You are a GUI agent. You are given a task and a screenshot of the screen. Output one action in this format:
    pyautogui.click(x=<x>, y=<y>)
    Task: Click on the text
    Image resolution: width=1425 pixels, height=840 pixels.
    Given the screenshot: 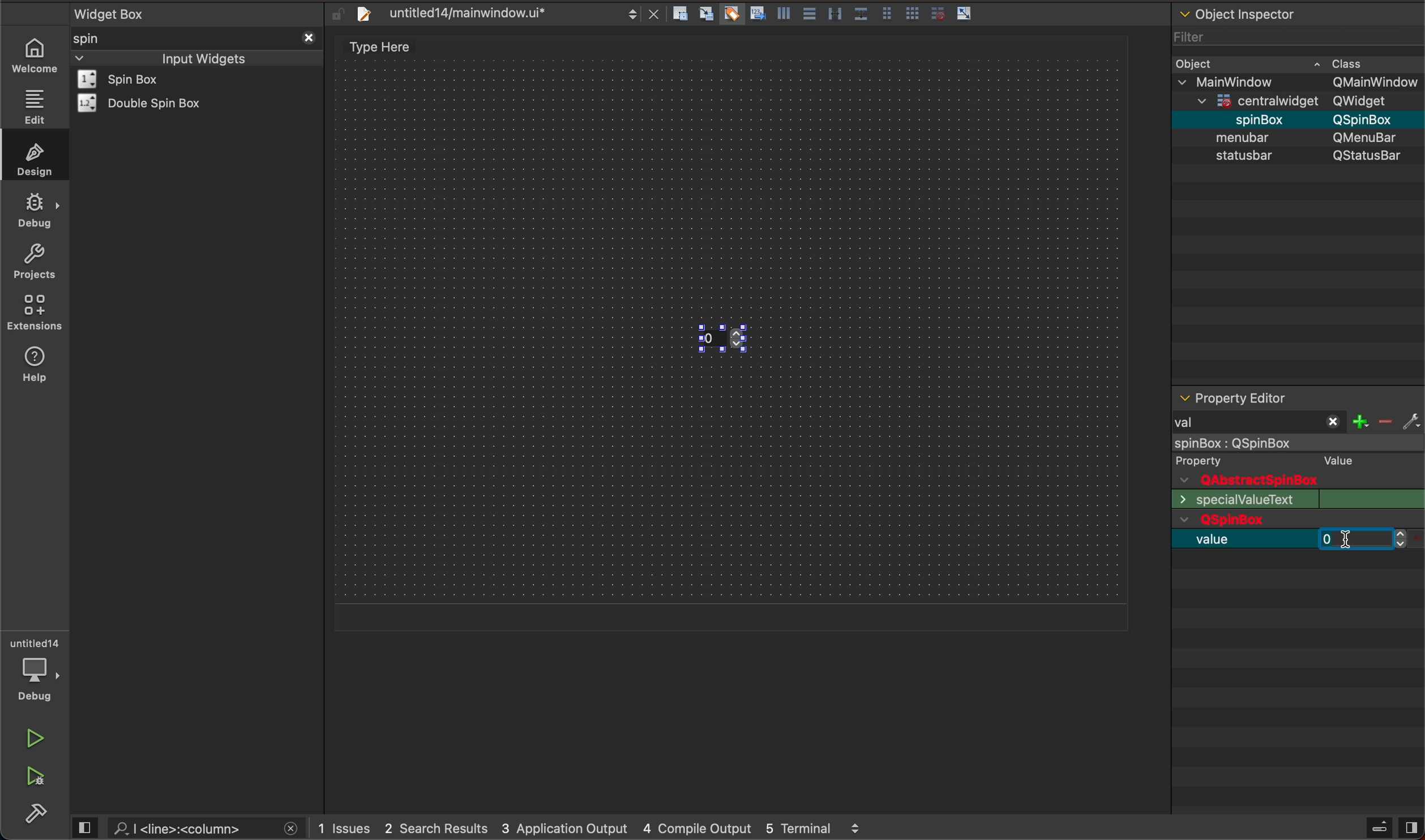 What is the action you would take?
    pyautogui.click(x=1238, y=500)
    